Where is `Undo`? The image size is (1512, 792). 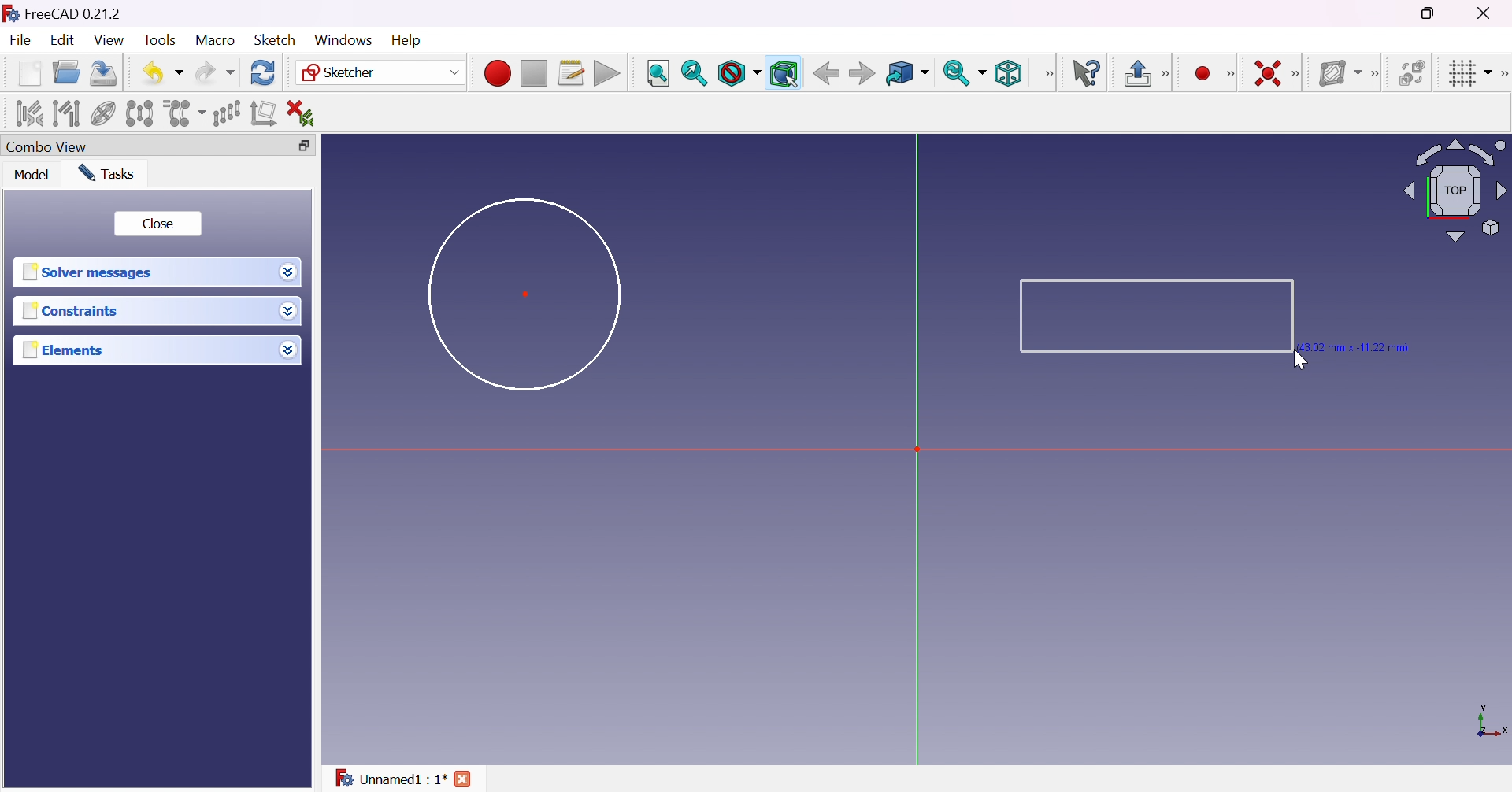
Undo is located at coordinates (163, 72).